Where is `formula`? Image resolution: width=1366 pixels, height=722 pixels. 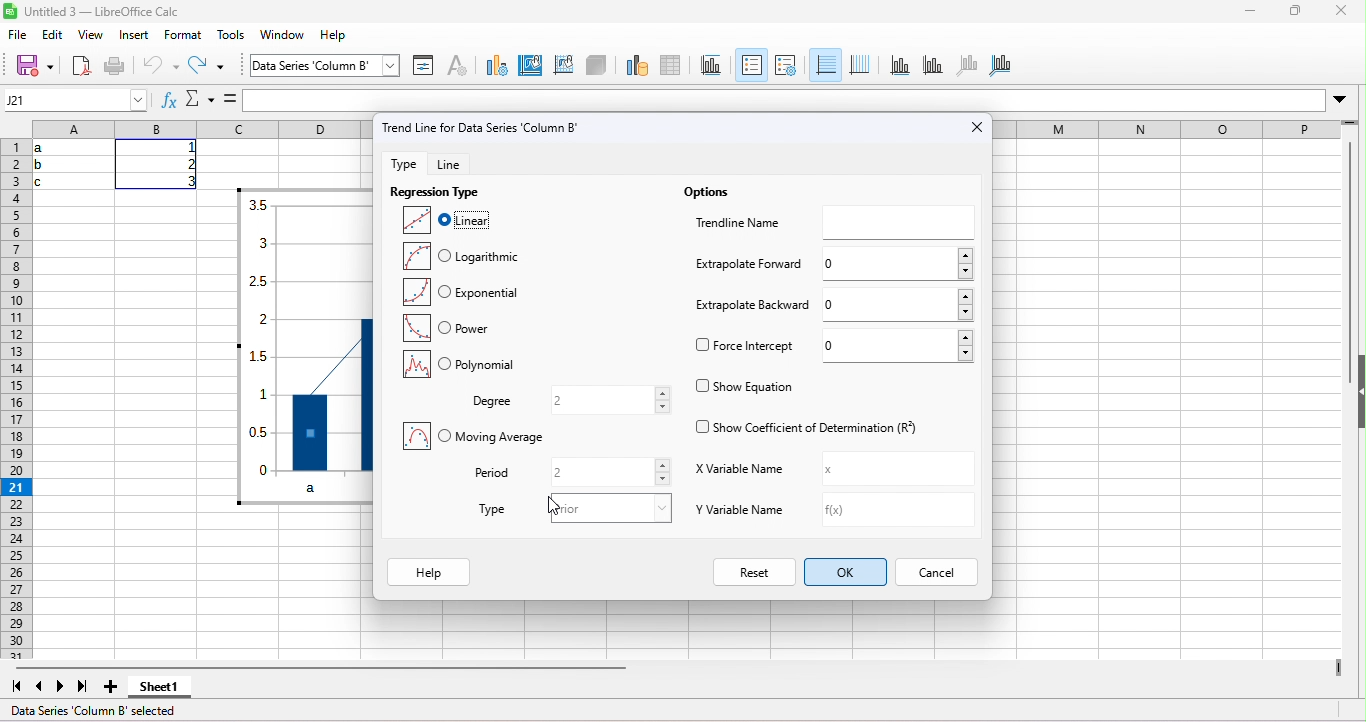
formula is located at coordinates (228, 96).